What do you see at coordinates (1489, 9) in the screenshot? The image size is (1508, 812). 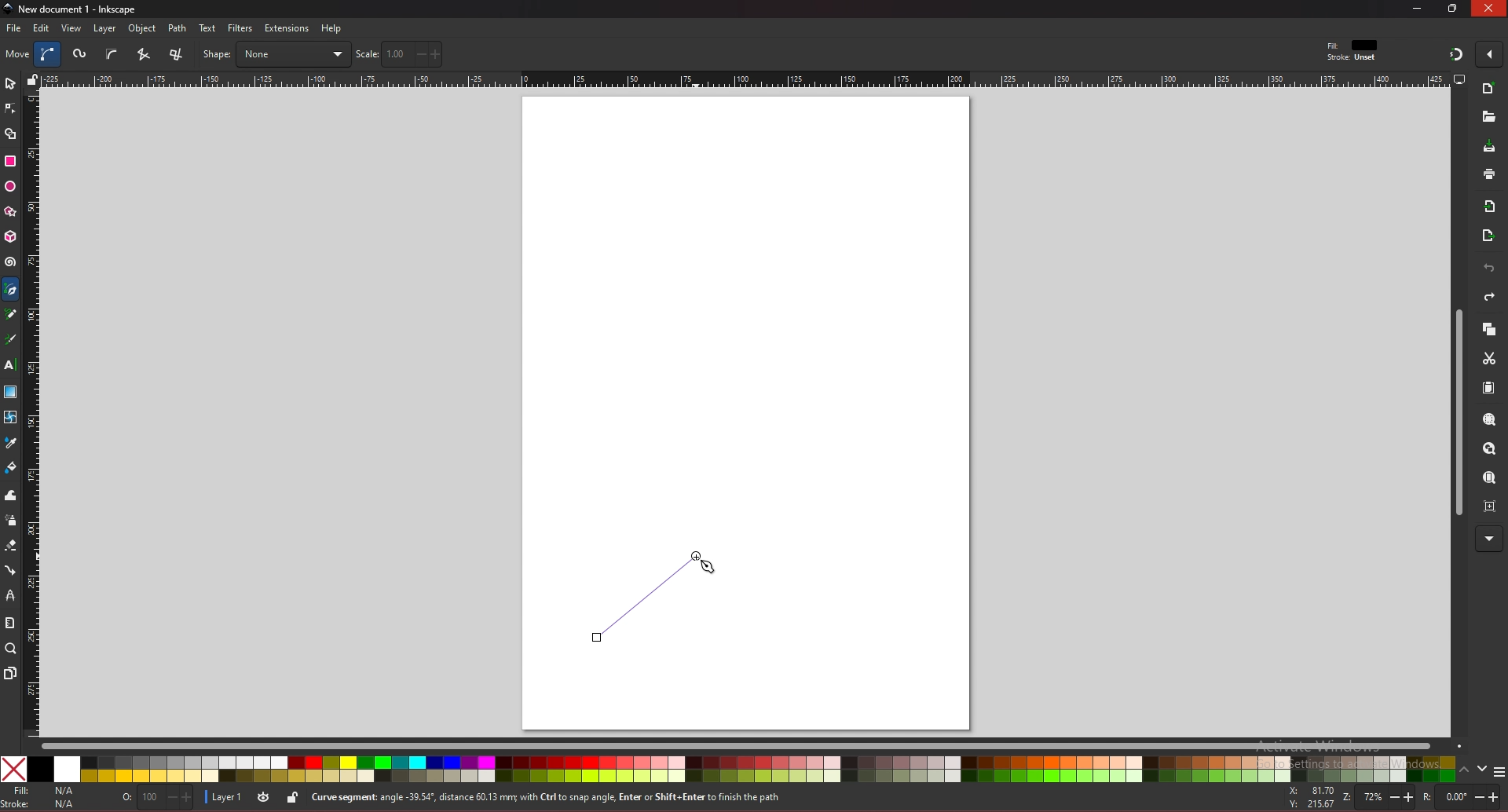 I see `close` at bounding box center [1489, 9].